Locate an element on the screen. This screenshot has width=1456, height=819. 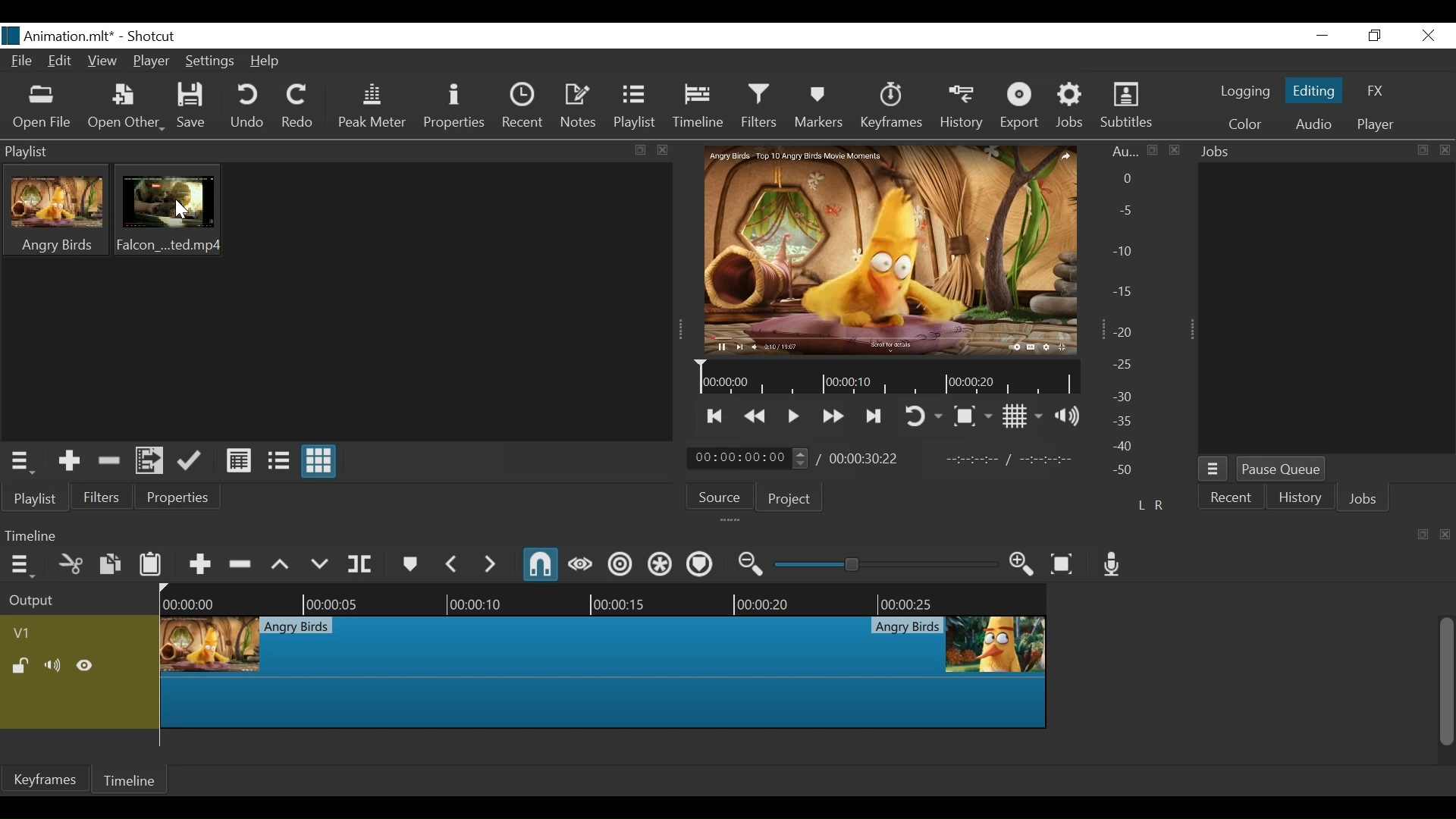
Properties is located at coordinates (456, 108).